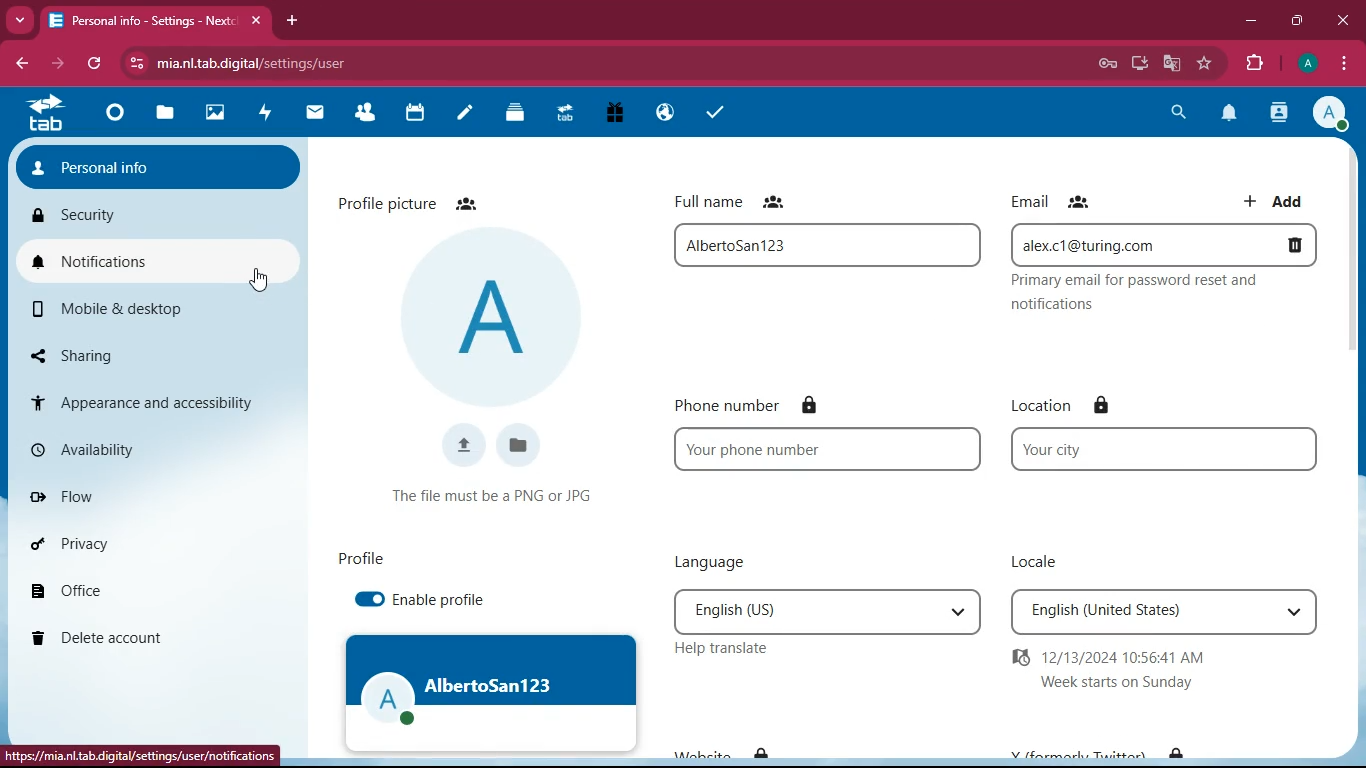 The width and height of the screenshot is (1366, 768). Describe the element at coordinates (491, 692) in the screenshot. I see `AlbertoSan123` at that location.